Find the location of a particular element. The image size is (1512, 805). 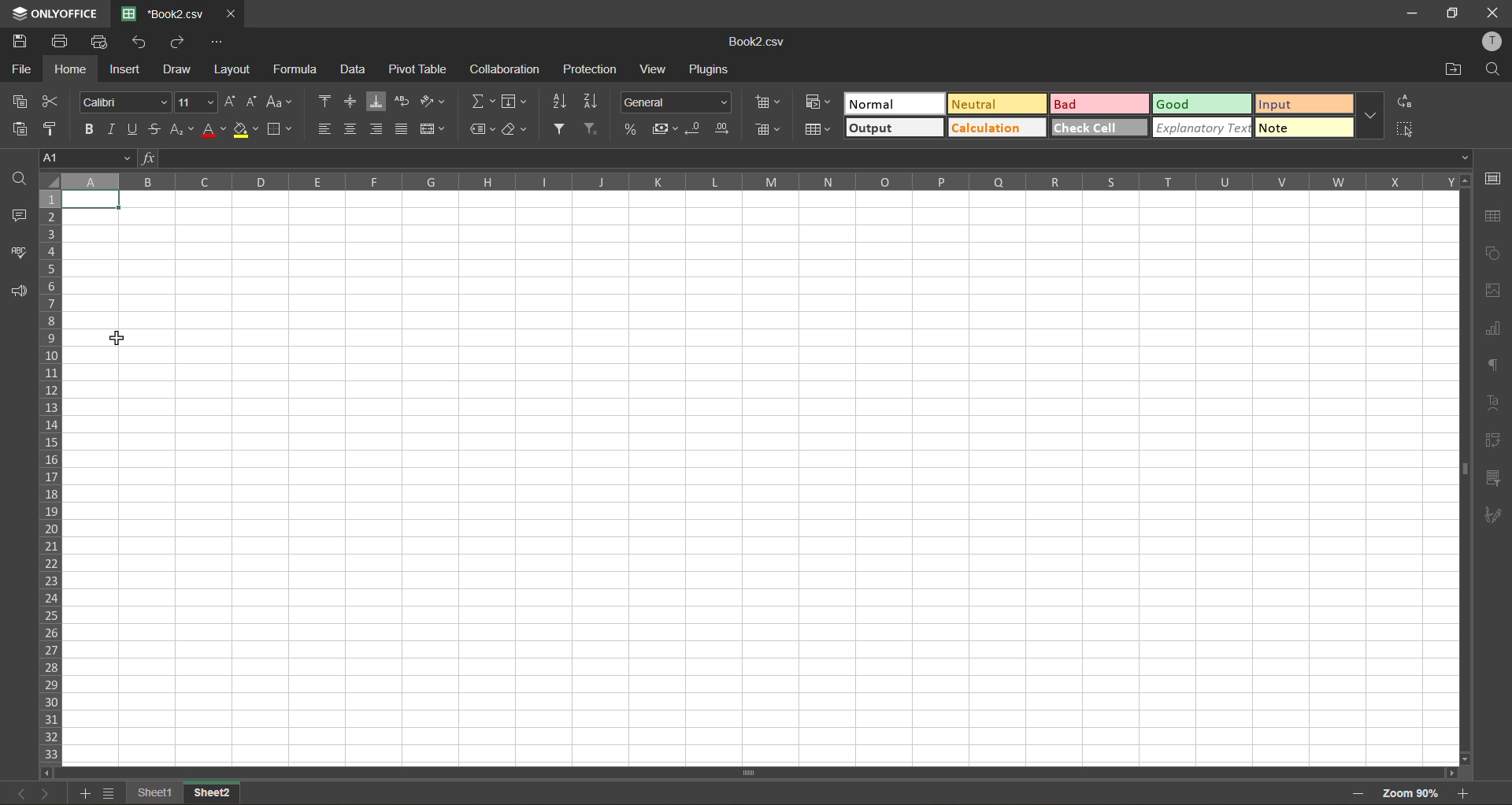

borders is located at coordinates (282, 129).